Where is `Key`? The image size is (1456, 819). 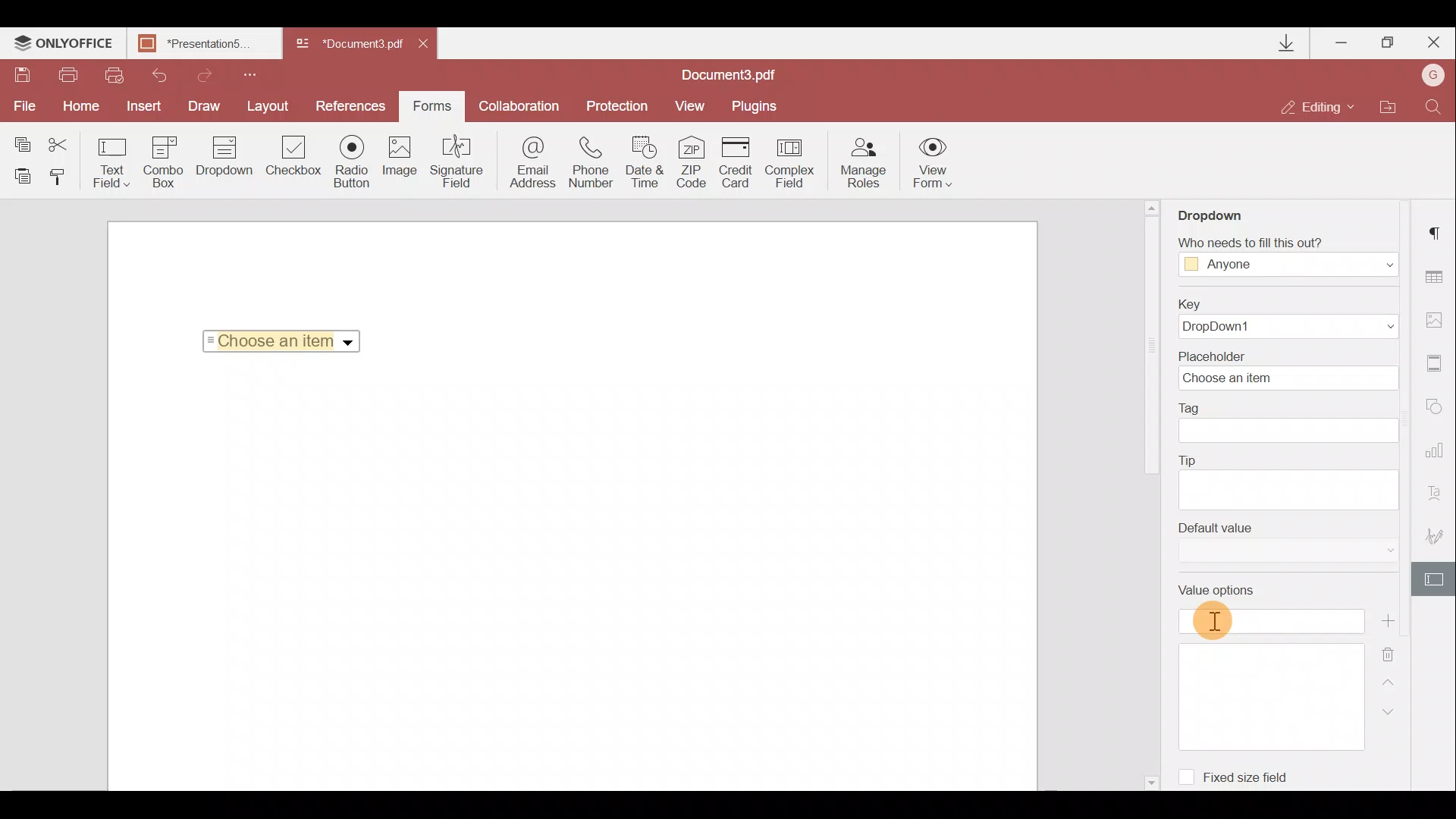
Key is located at coordinates (1282, 318).